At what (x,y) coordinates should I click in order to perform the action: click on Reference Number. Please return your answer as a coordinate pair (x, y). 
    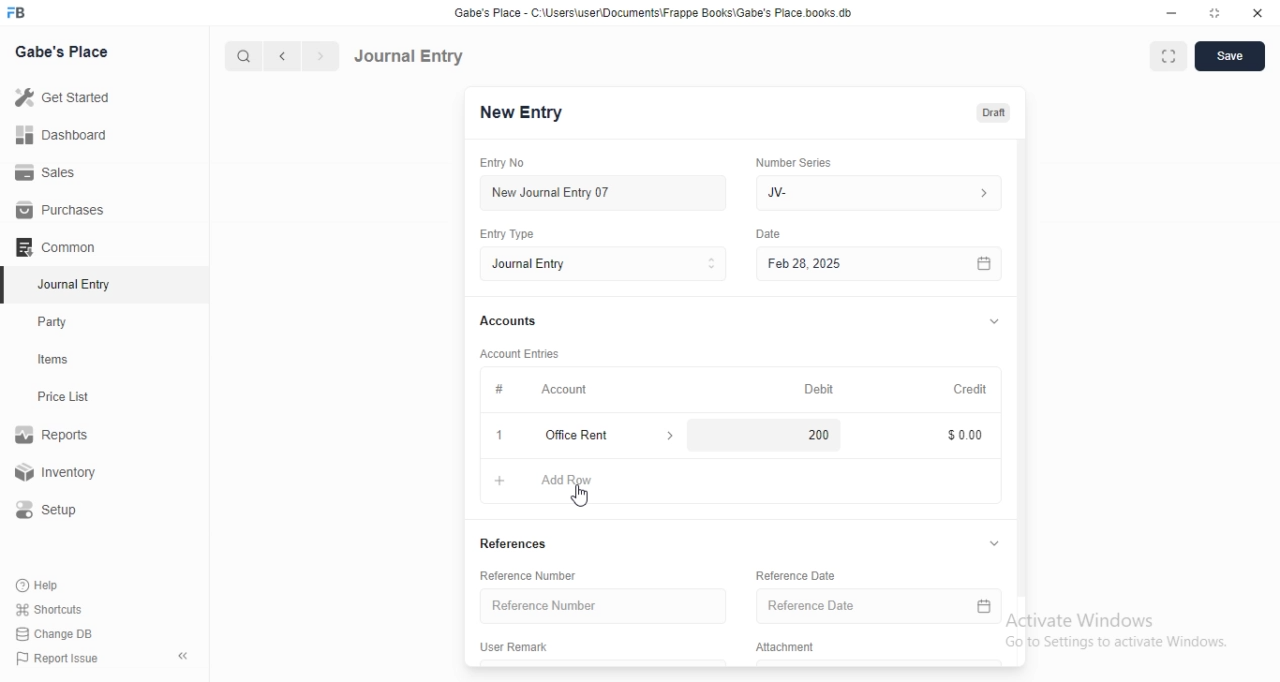
    Looking at the image, I should click on (604, 606).